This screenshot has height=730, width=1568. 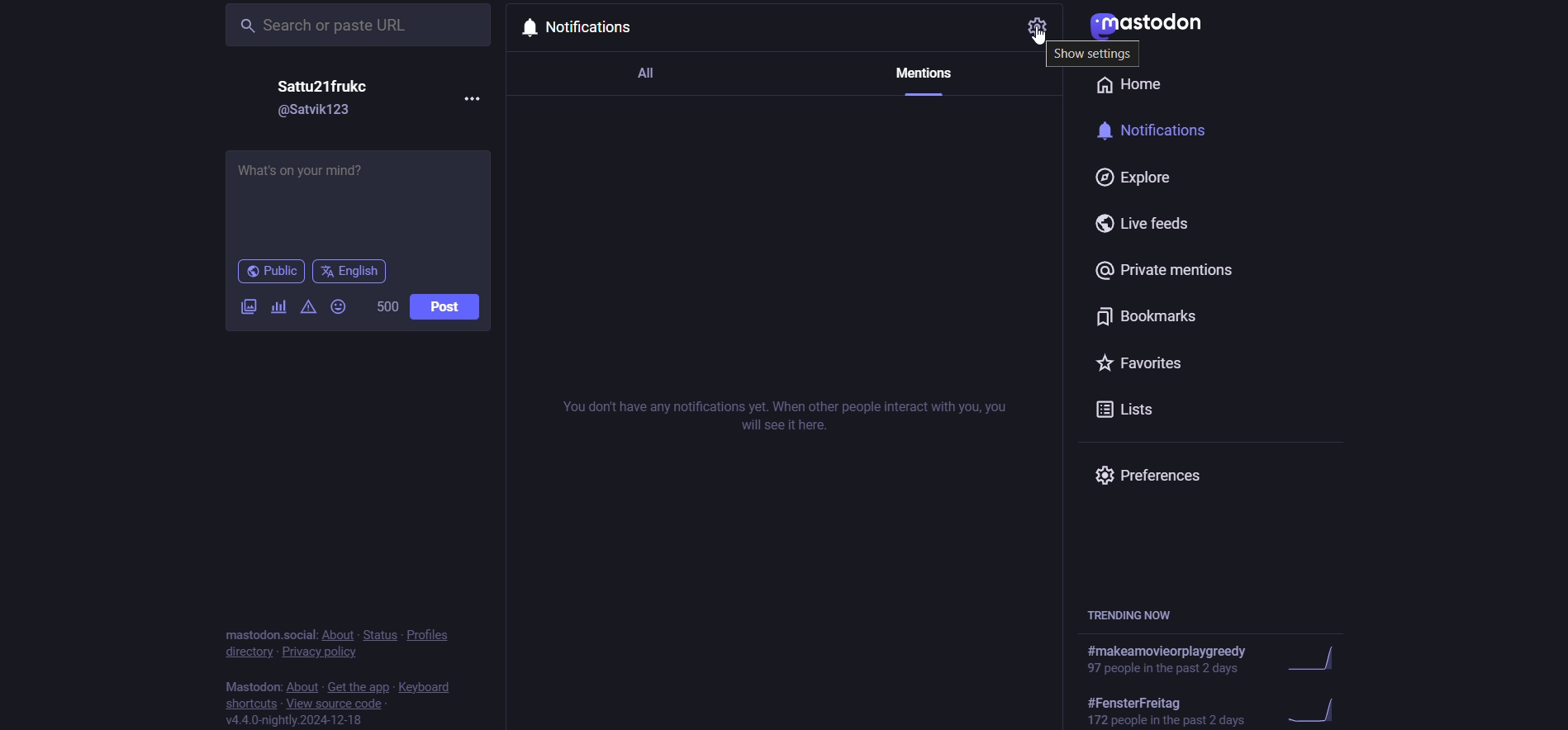 What do you see at coordinates (473, 98) in the screenshot?
I see `more options` at bounding box center [473, 98].